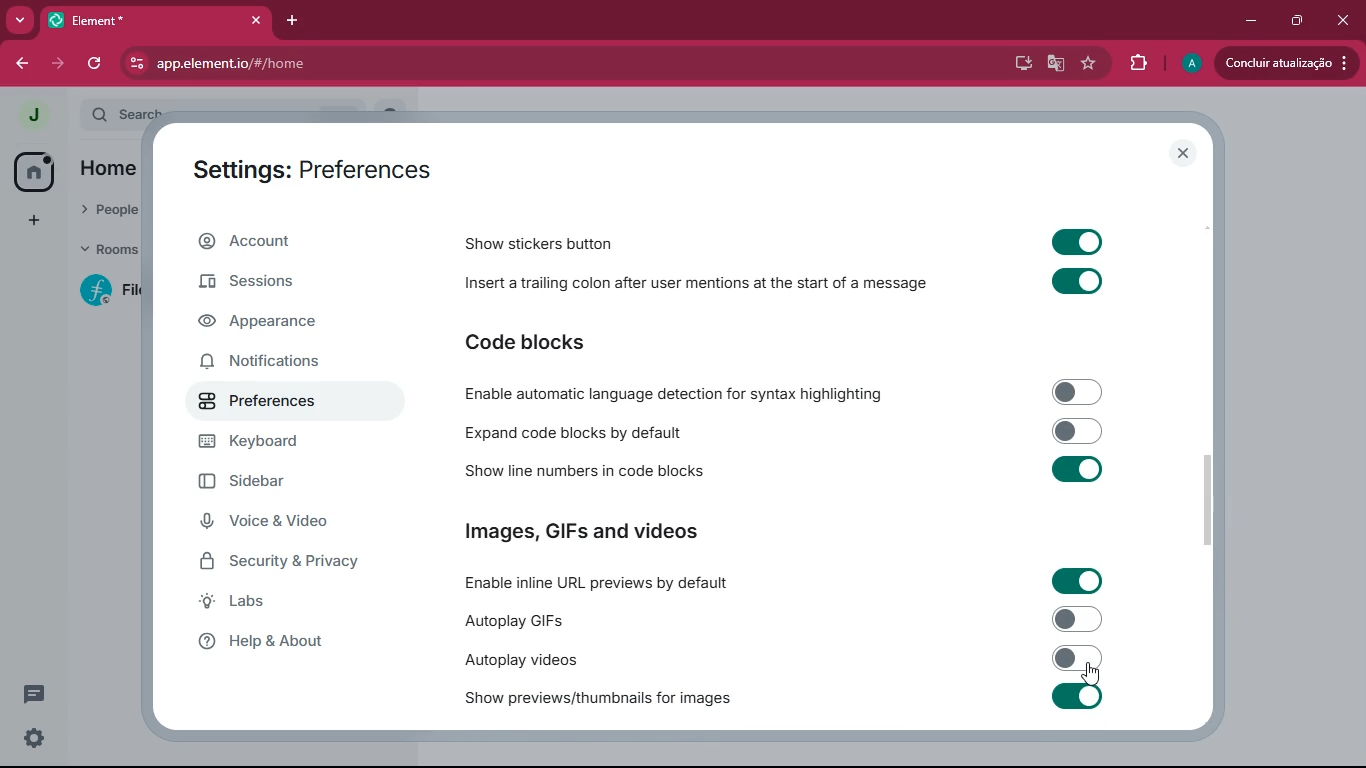  Describe the element at coordinates (296, 566) in the screenshot. I see `security` at that location.